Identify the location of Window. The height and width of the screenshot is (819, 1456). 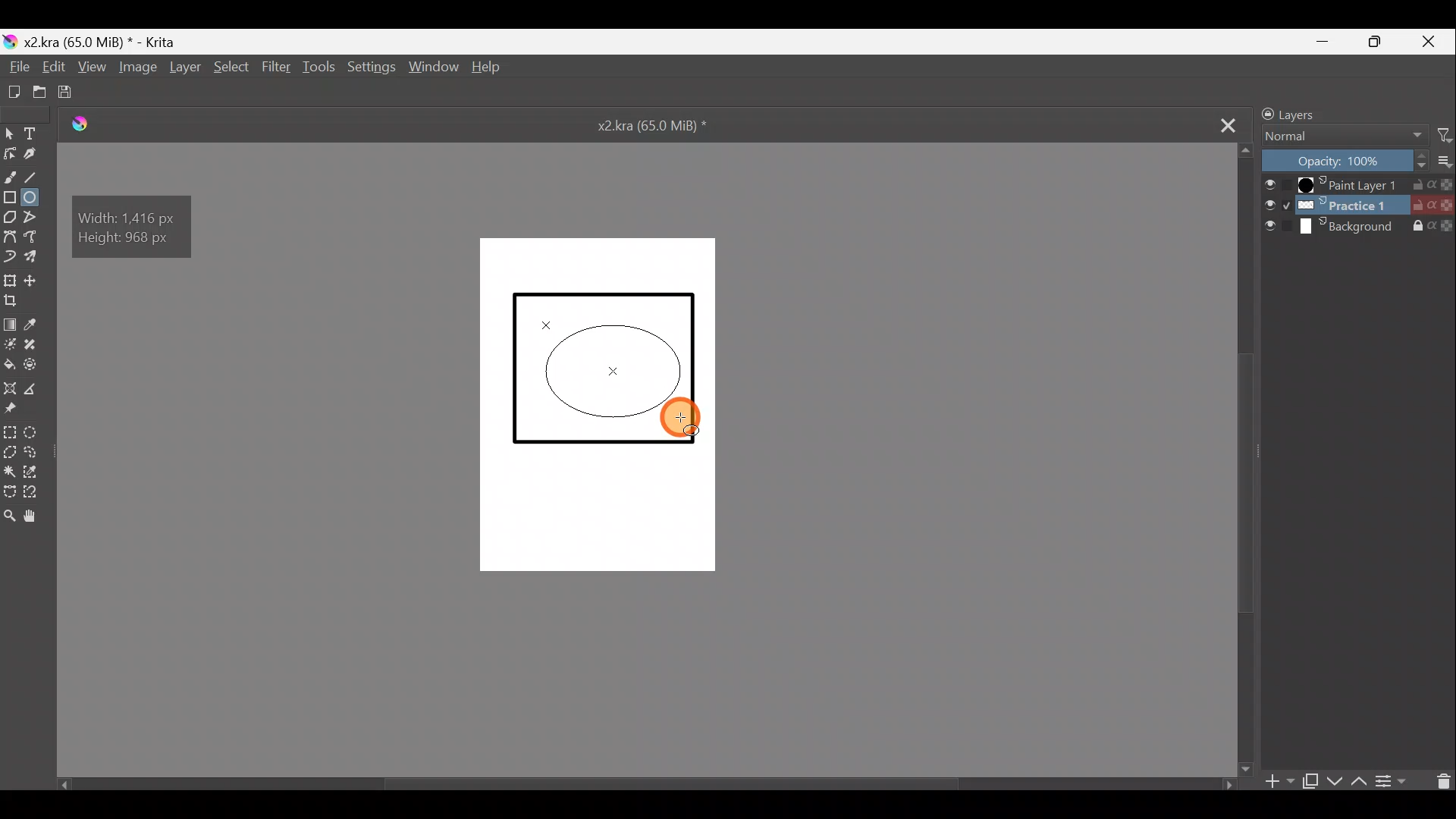
(437, 68).